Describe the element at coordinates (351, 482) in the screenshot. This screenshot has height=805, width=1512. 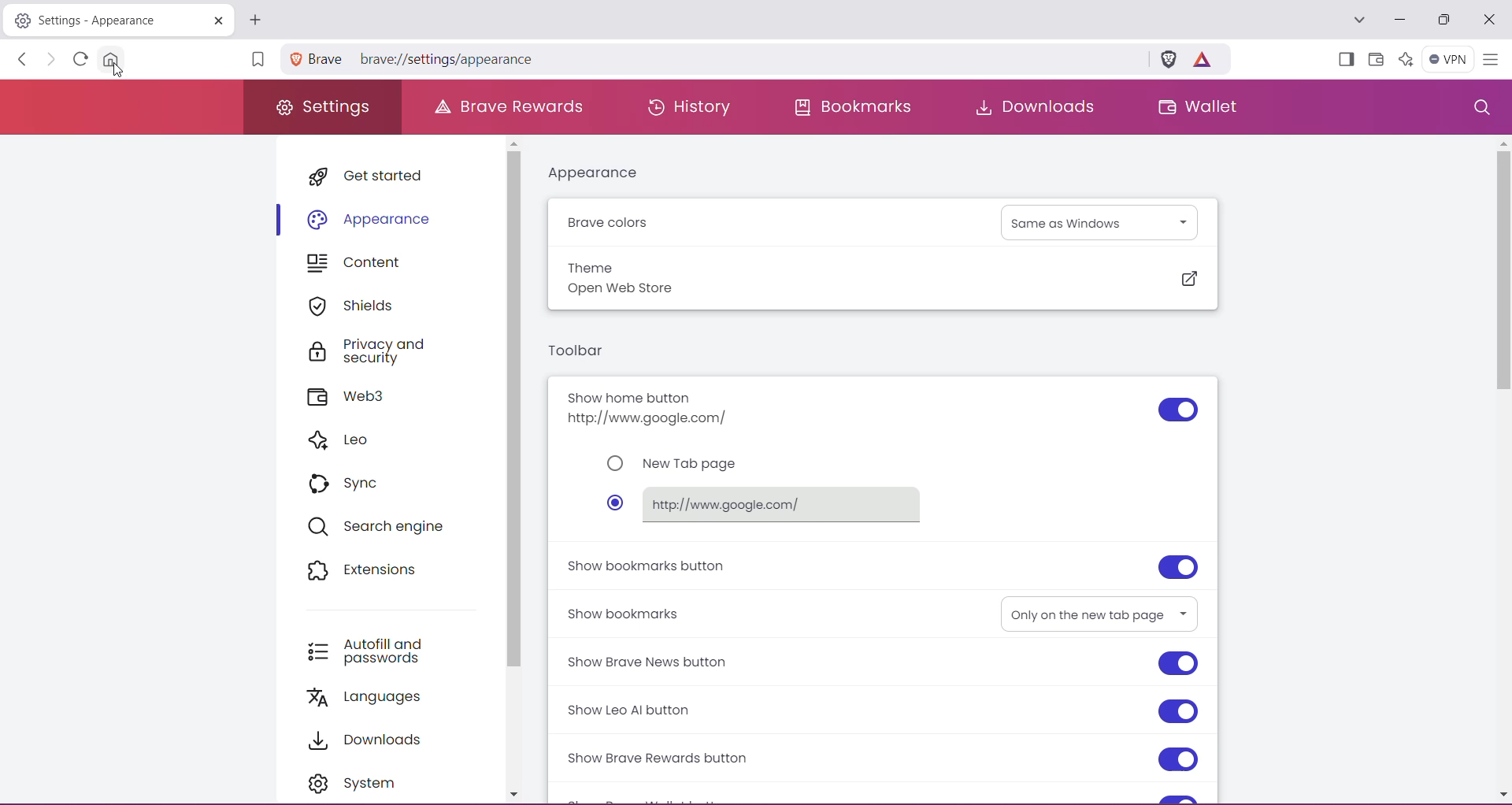
I see `Sync` at that location.